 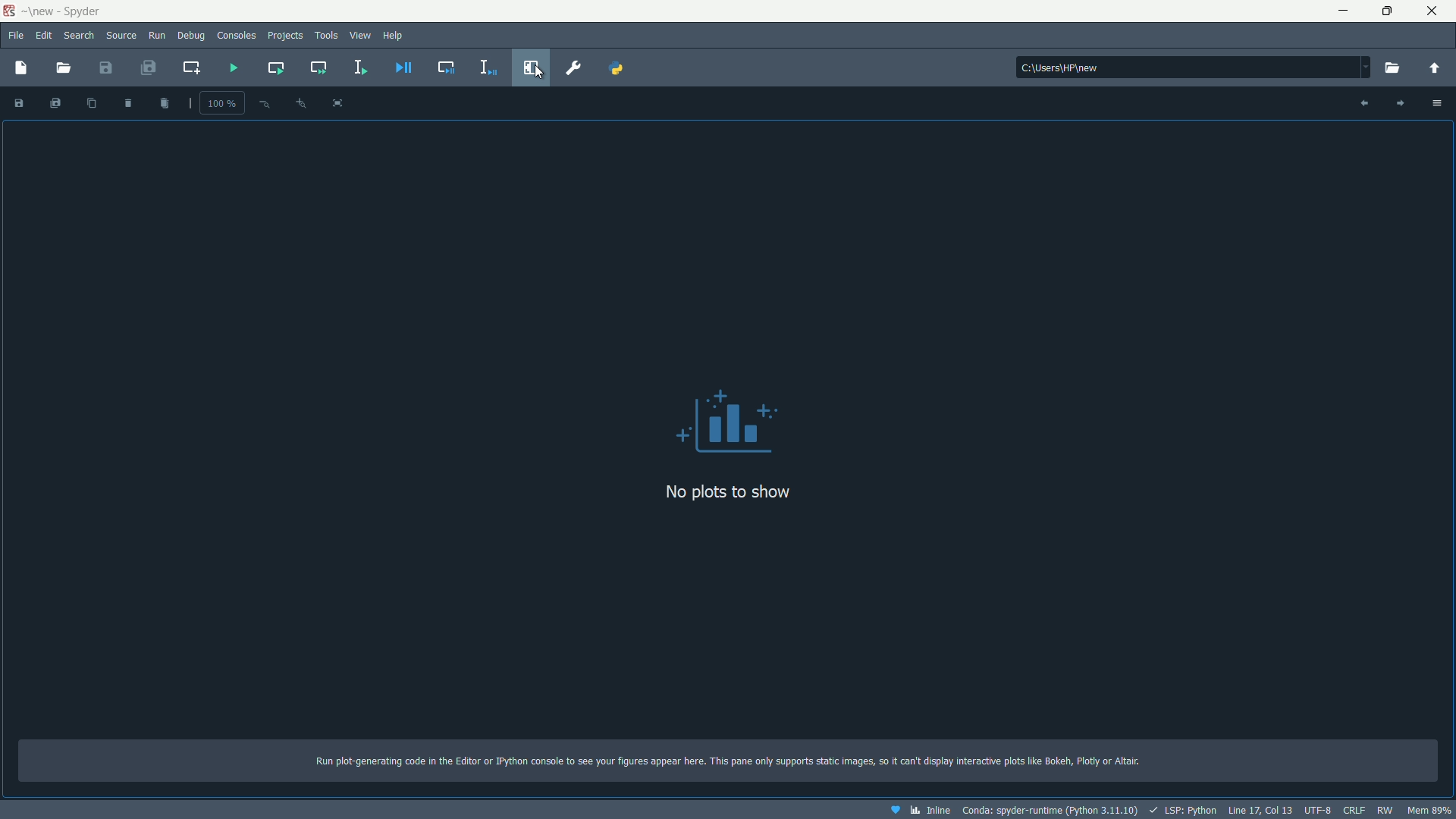 I want to click on new file, so click(x=22, y=67).